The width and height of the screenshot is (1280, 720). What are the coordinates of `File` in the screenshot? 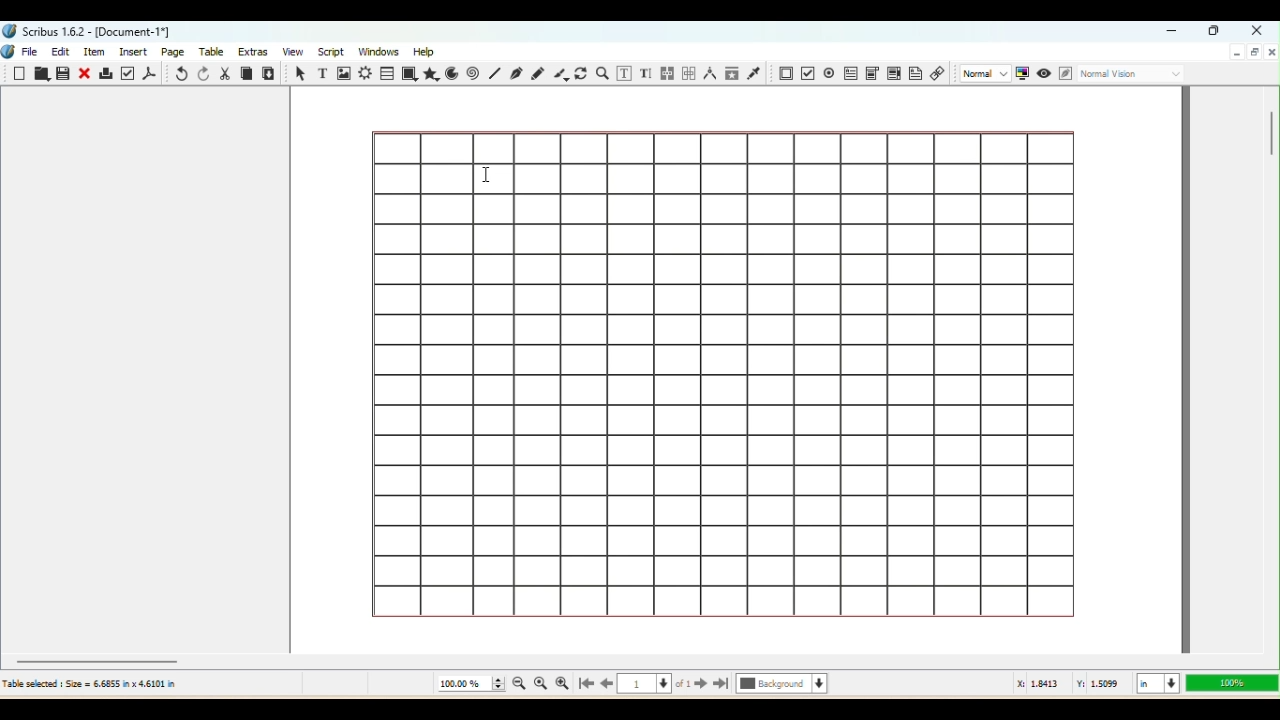 It's located at (33, 50).